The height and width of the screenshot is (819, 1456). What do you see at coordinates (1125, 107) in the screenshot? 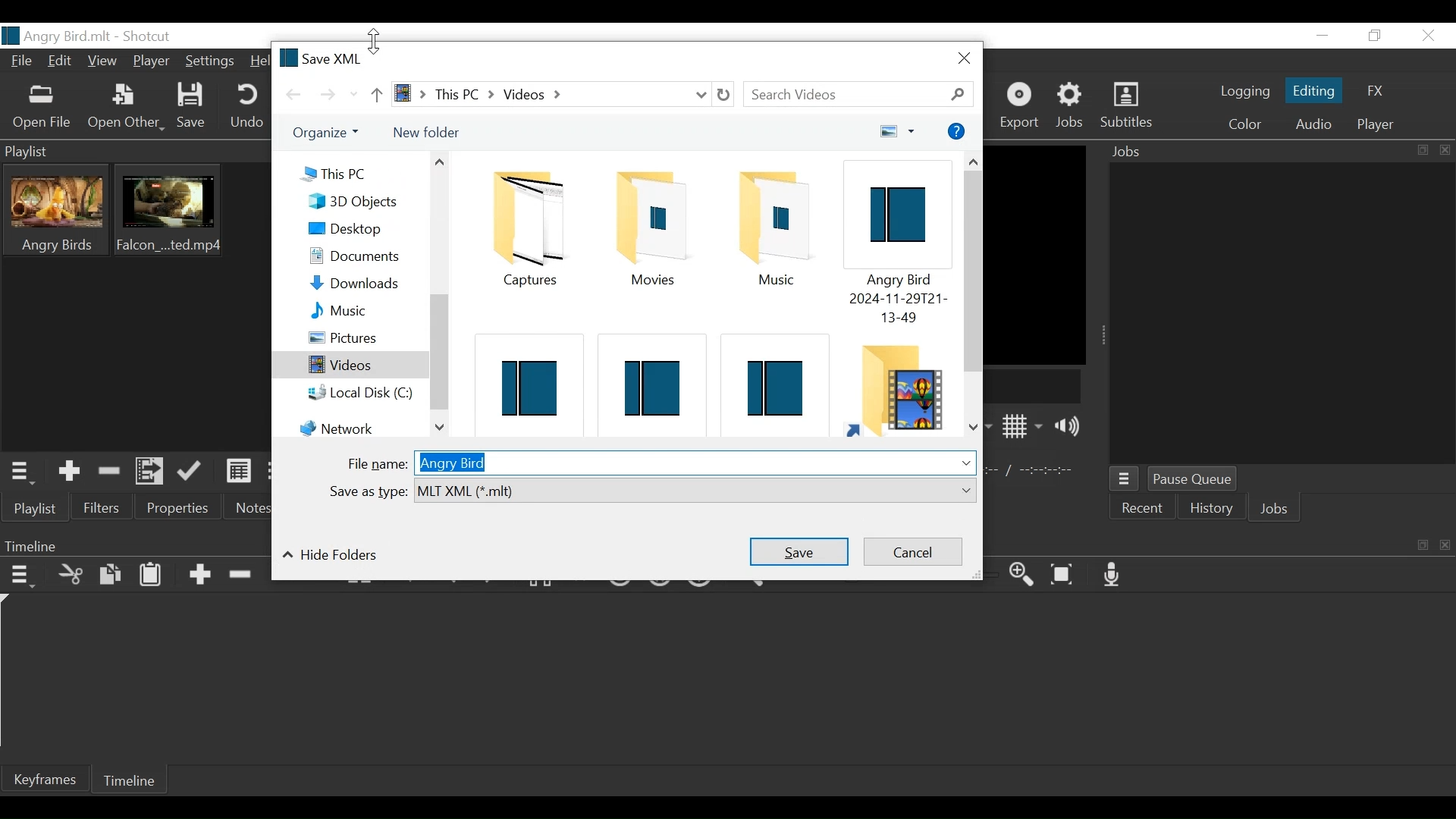
I see `Subtitles` at bounding box center [1125, 107].